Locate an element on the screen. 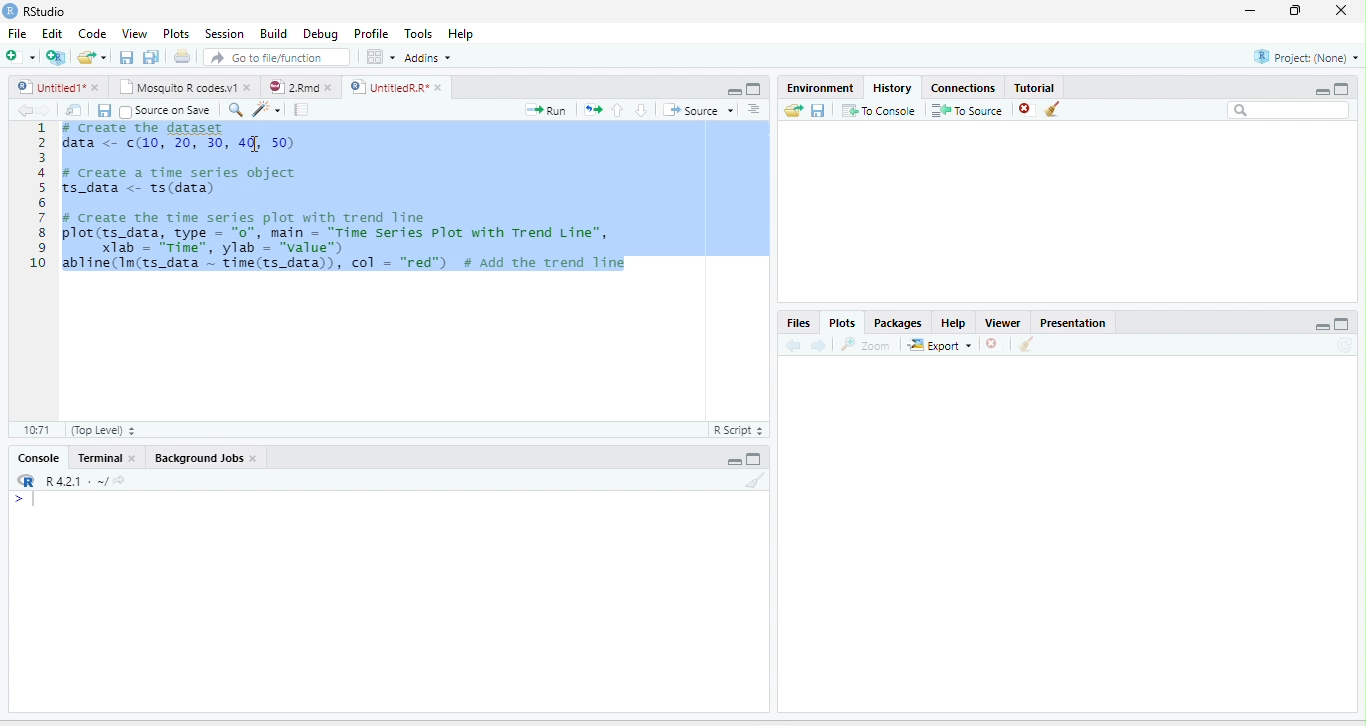 Image resolution: width=1366 pixels, height=726 pixels. To Console is located at coordinates (878, 110).